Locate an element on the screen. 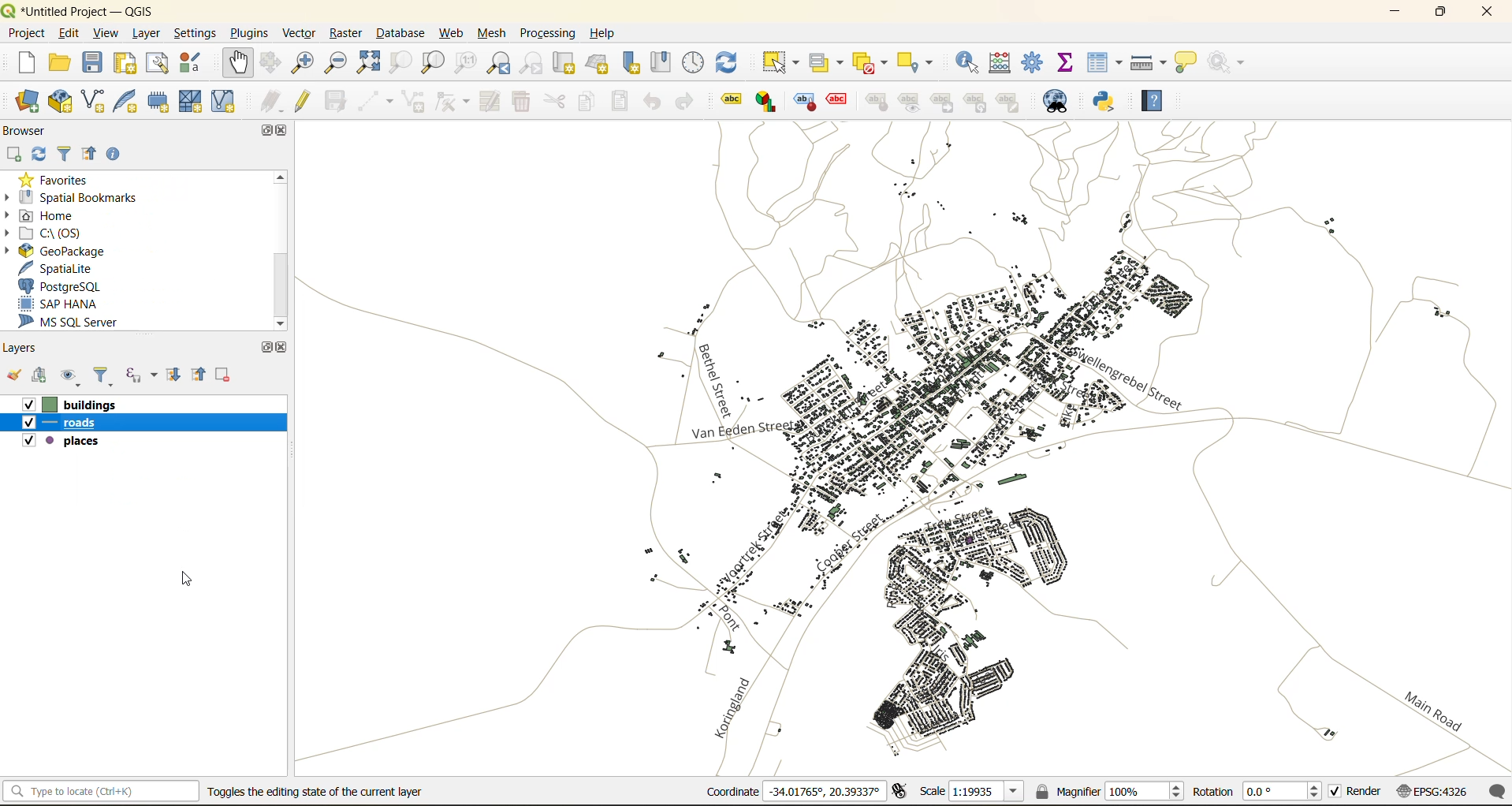 This screenshot has height=806, width=1512. zoom selection is located at coordinates (402, 63).